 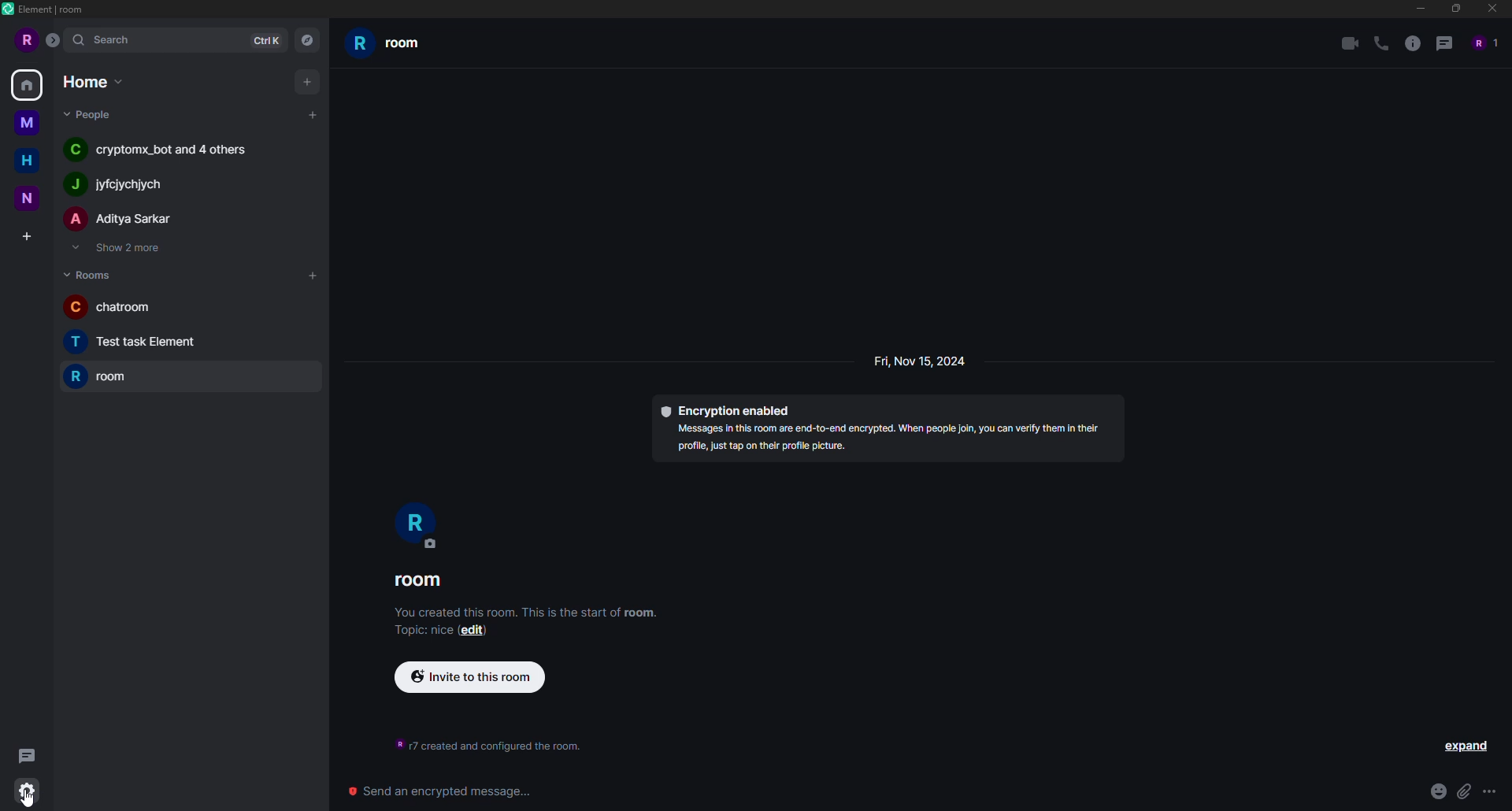 What do you see at coordinates (134, 223) in the screenshot?
I see `A Aditya Sarkar` at bounding box center [134, 223].